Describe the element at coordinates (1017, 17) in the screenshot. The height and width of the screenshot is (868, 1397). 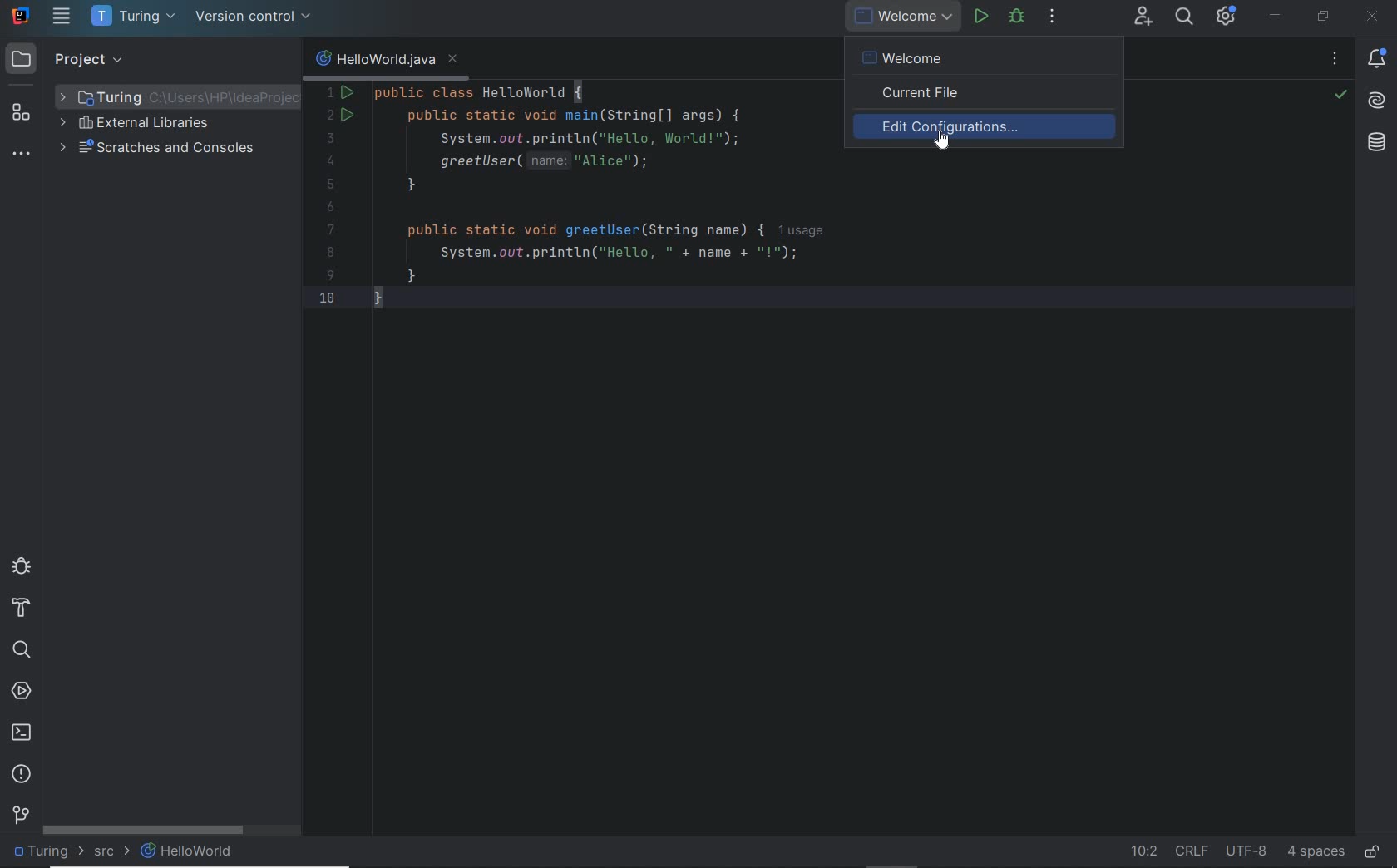
I see `debug` at that location.